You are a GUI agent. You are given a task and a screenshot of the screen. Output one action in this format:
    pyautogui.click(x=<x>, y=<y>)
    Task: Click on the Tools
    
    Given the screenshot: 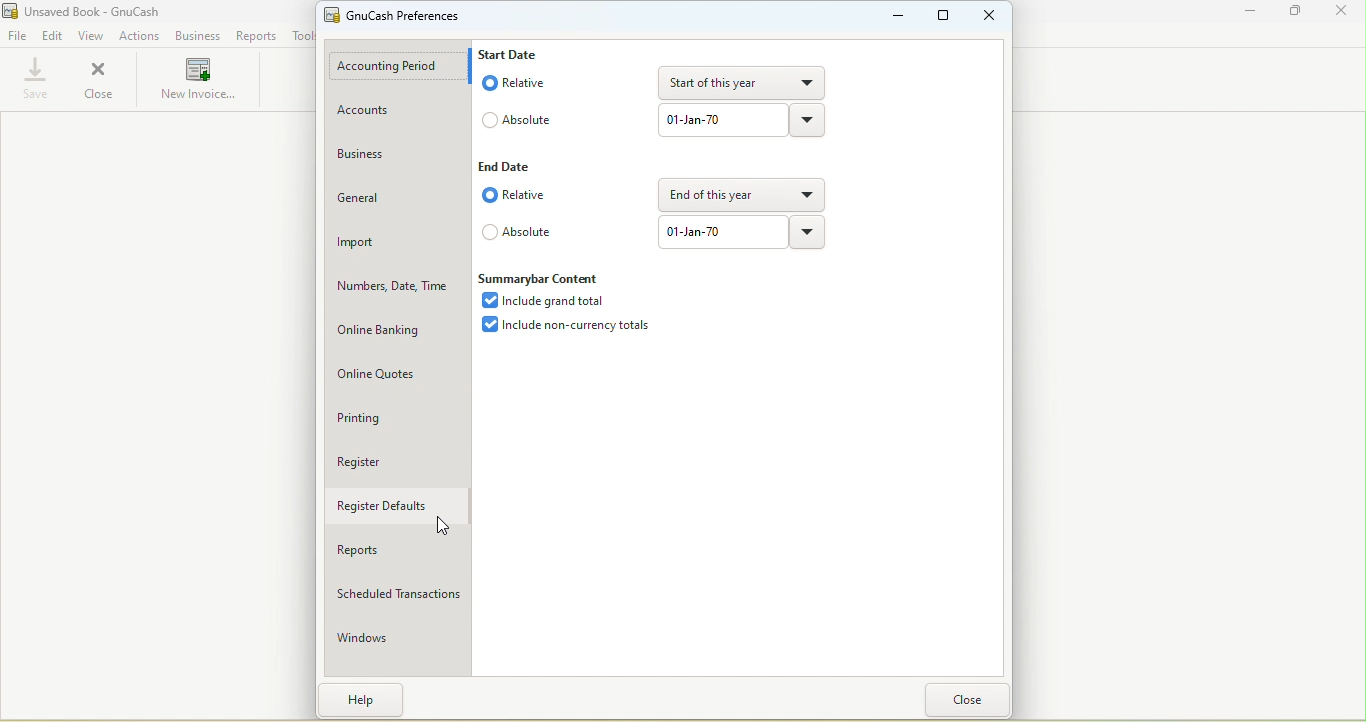 What is the action you would take?
    pyautogui.click(x=300, y=35)
    